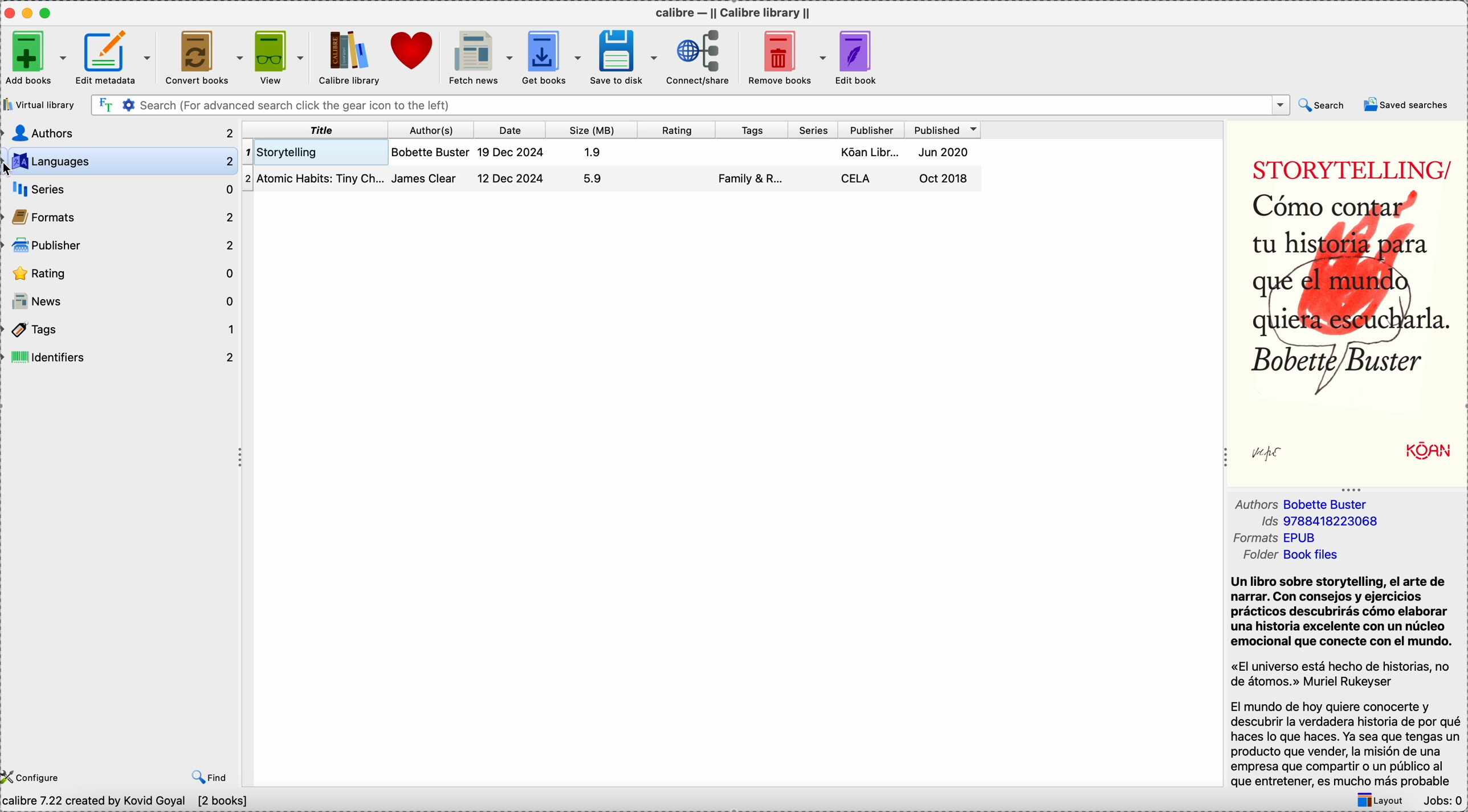 This screenshot has width=1468, height=812. Describe the element at coordinates (612, 152) in the screenshot. I see `Storytelling` at that location.